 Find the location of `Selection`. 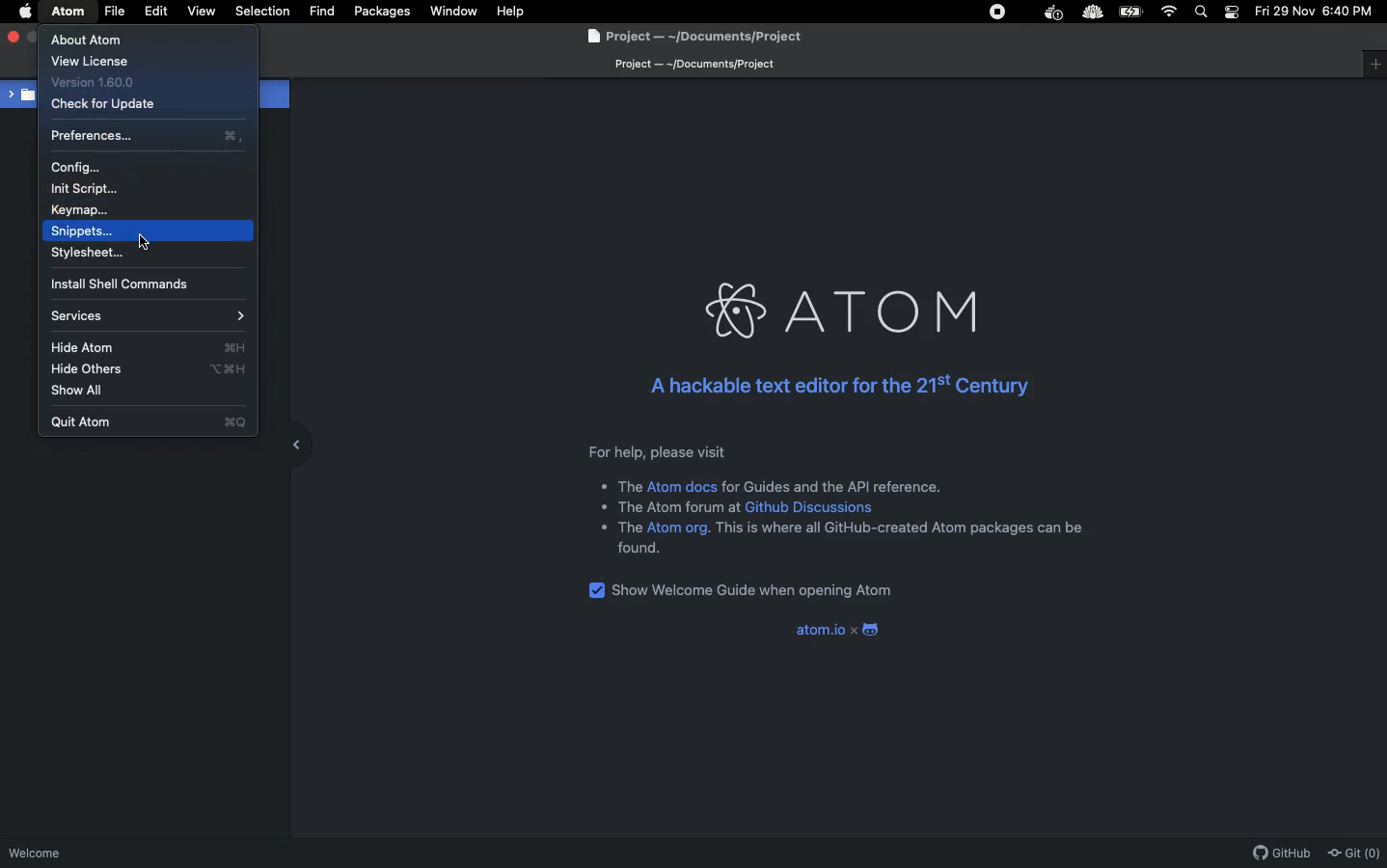

Selection is located at coordinates (265, 12).